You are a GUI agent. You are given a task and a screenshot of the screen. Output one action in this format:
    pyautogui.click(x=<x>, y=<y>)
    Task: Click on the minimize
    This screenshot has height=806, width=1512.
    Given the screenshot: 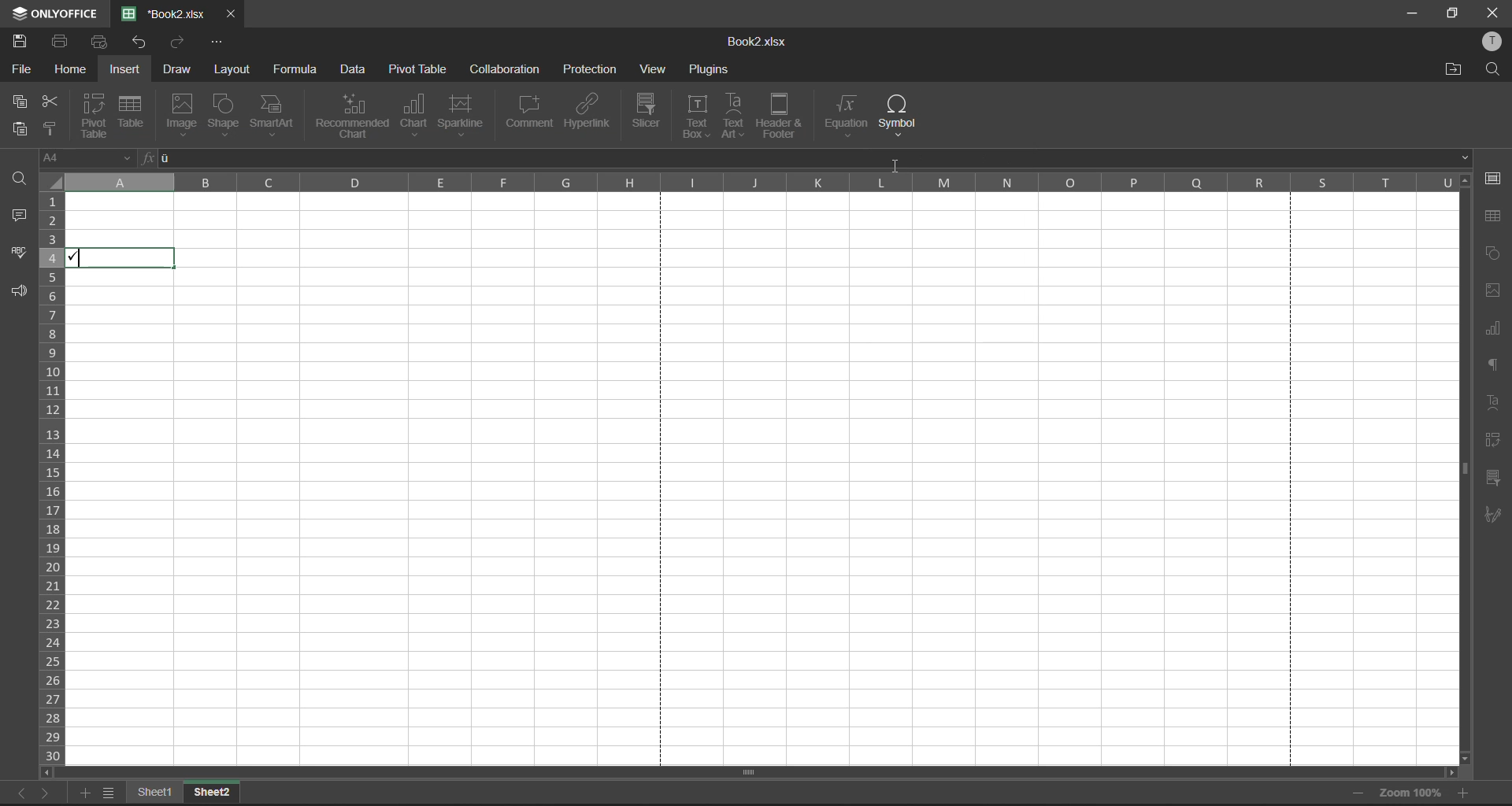 What is the action you would take?
    pyautogui.click(x=1408, y=11)
    